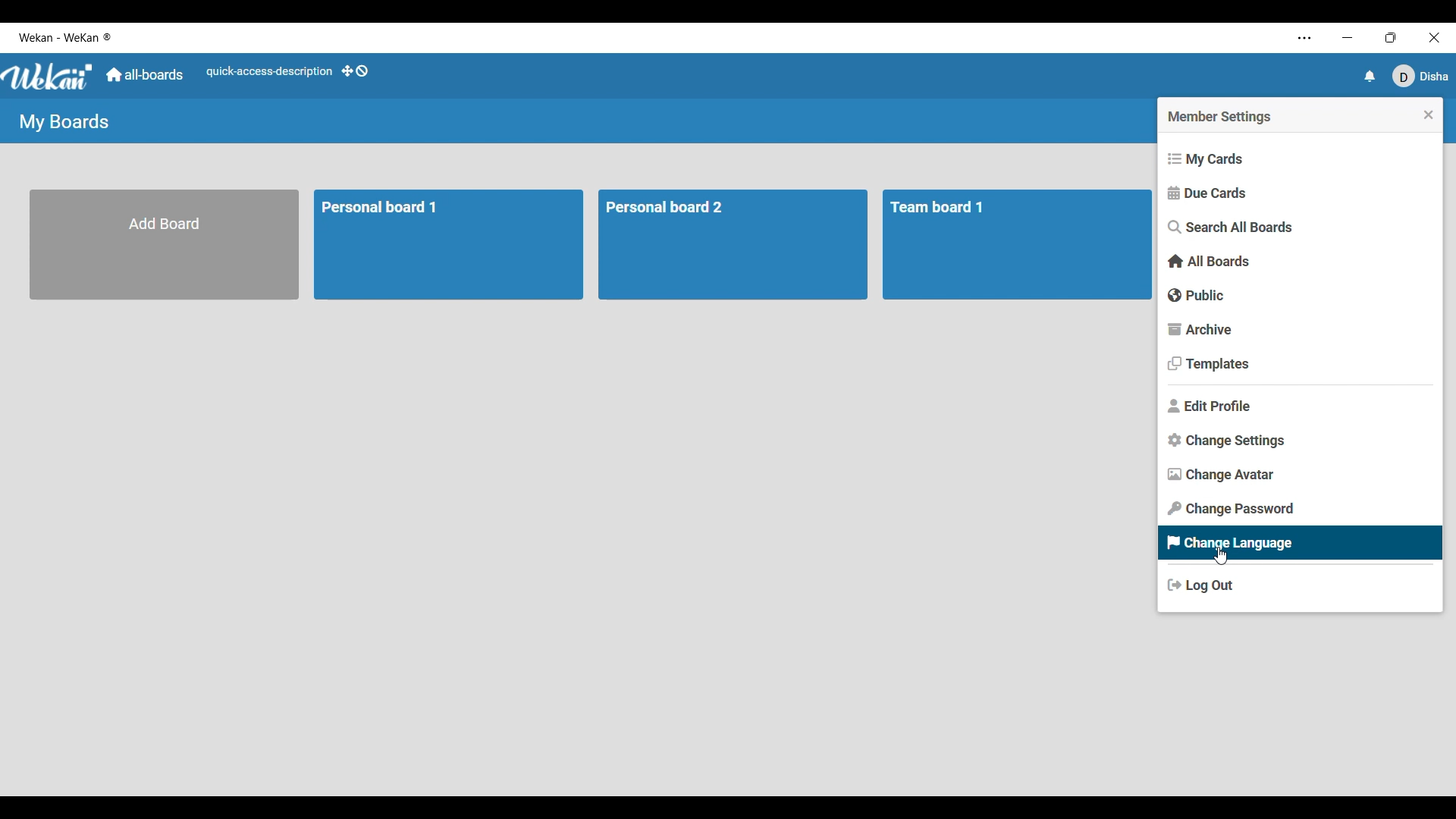 This screenshot has width=1456, height=819. I want to click on Edit profile, so click(1300, 406).